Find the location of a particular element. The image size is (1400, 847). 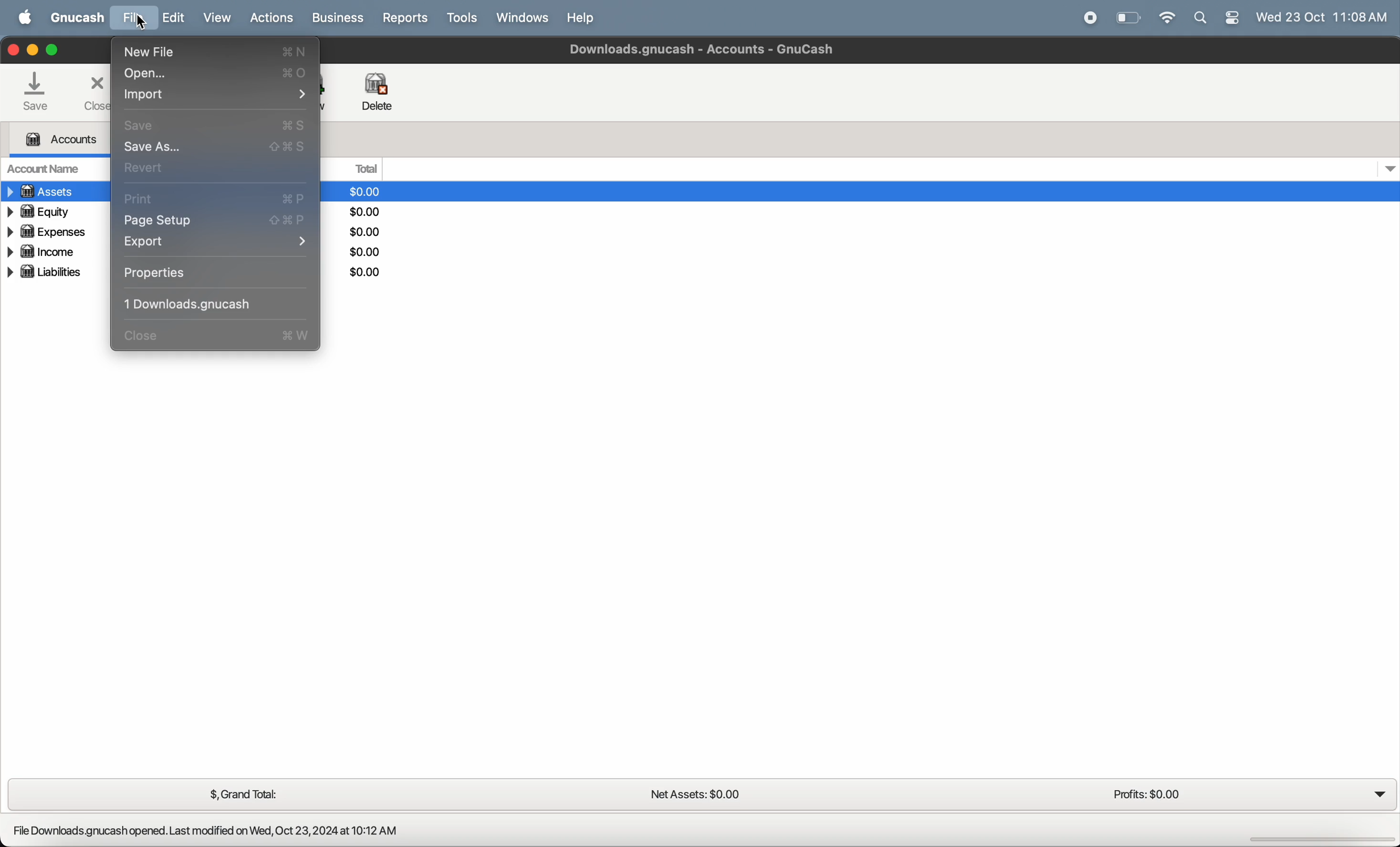

dollars is located at coordinates (366, 273).